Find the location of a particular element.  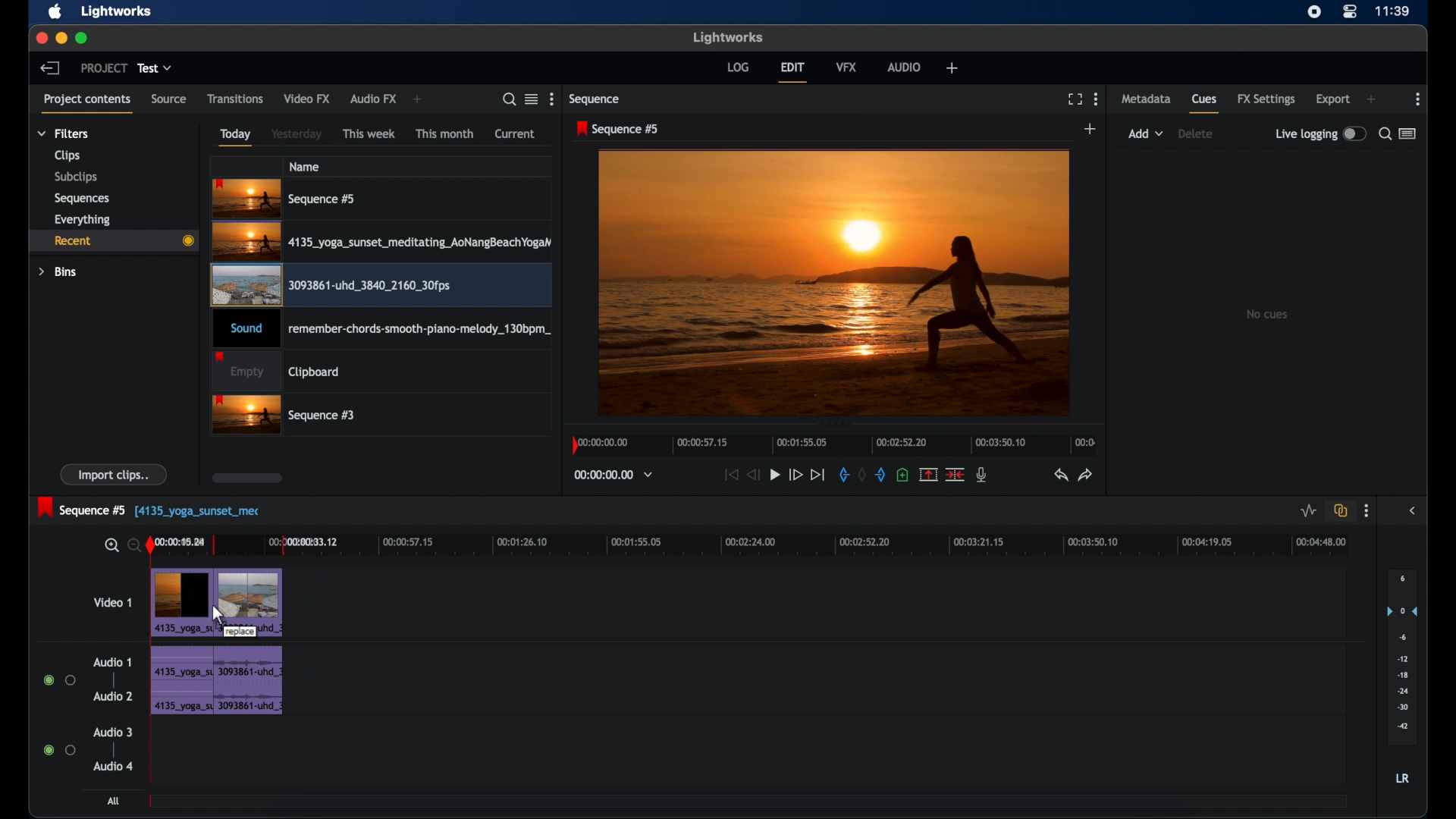

fast forward is located at coordinates (795, 475).